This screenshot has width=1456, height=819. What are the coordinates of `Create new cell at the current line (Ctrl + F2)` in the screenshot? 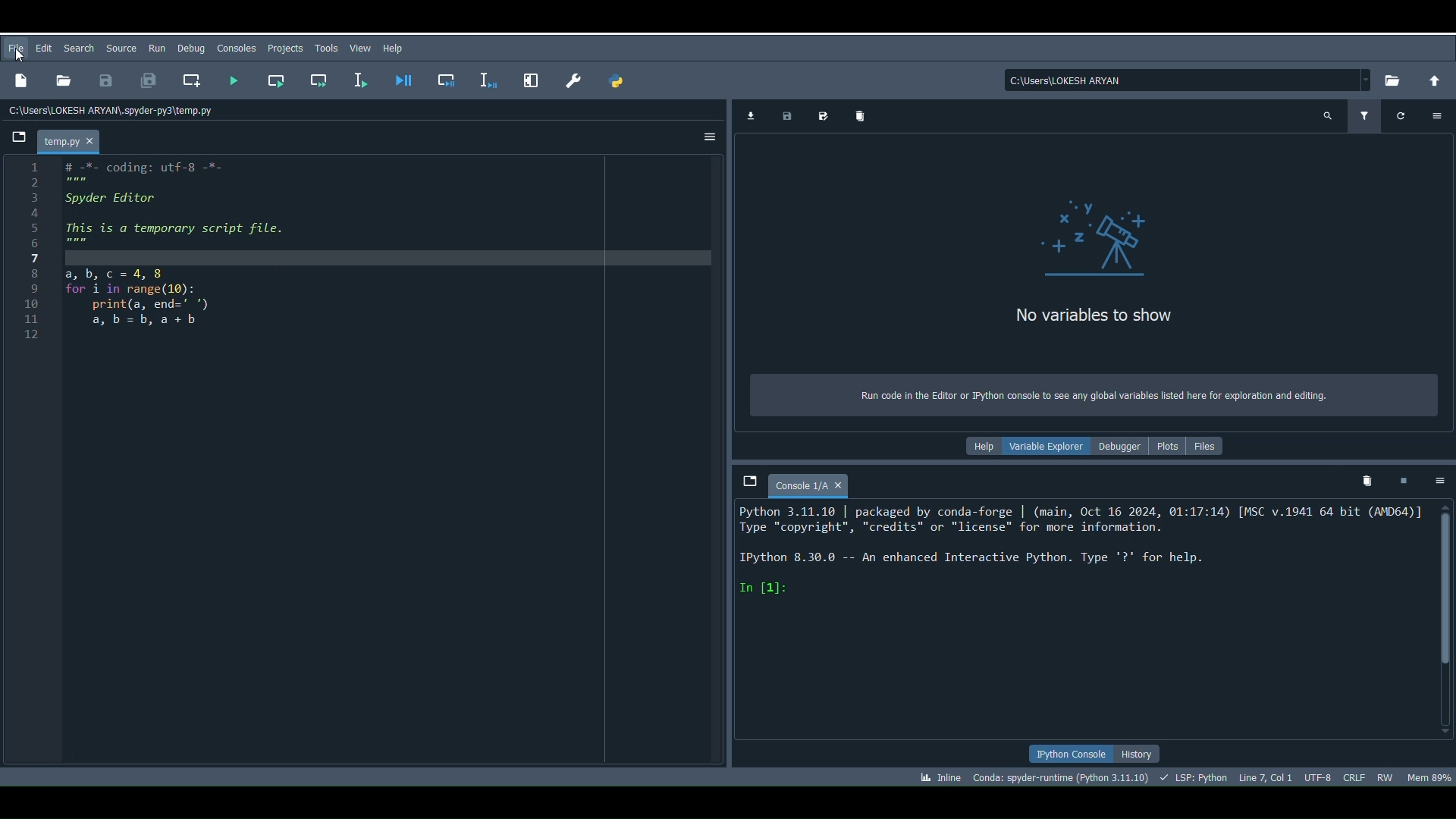 It's located at (192, 78).